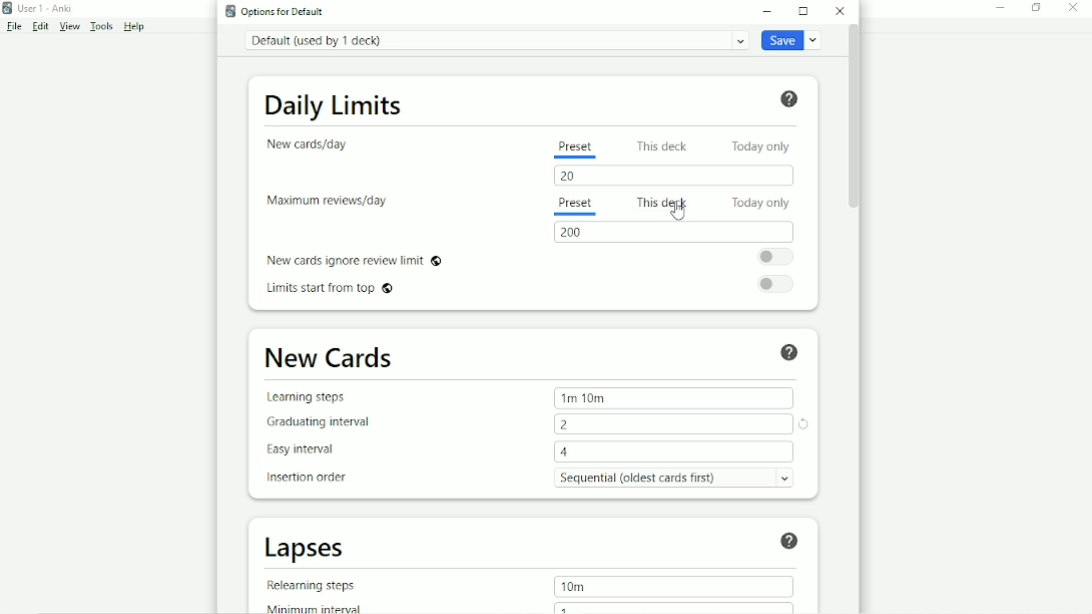 The image size is (1092, 614). I want to click on Close, so click(840, 11).